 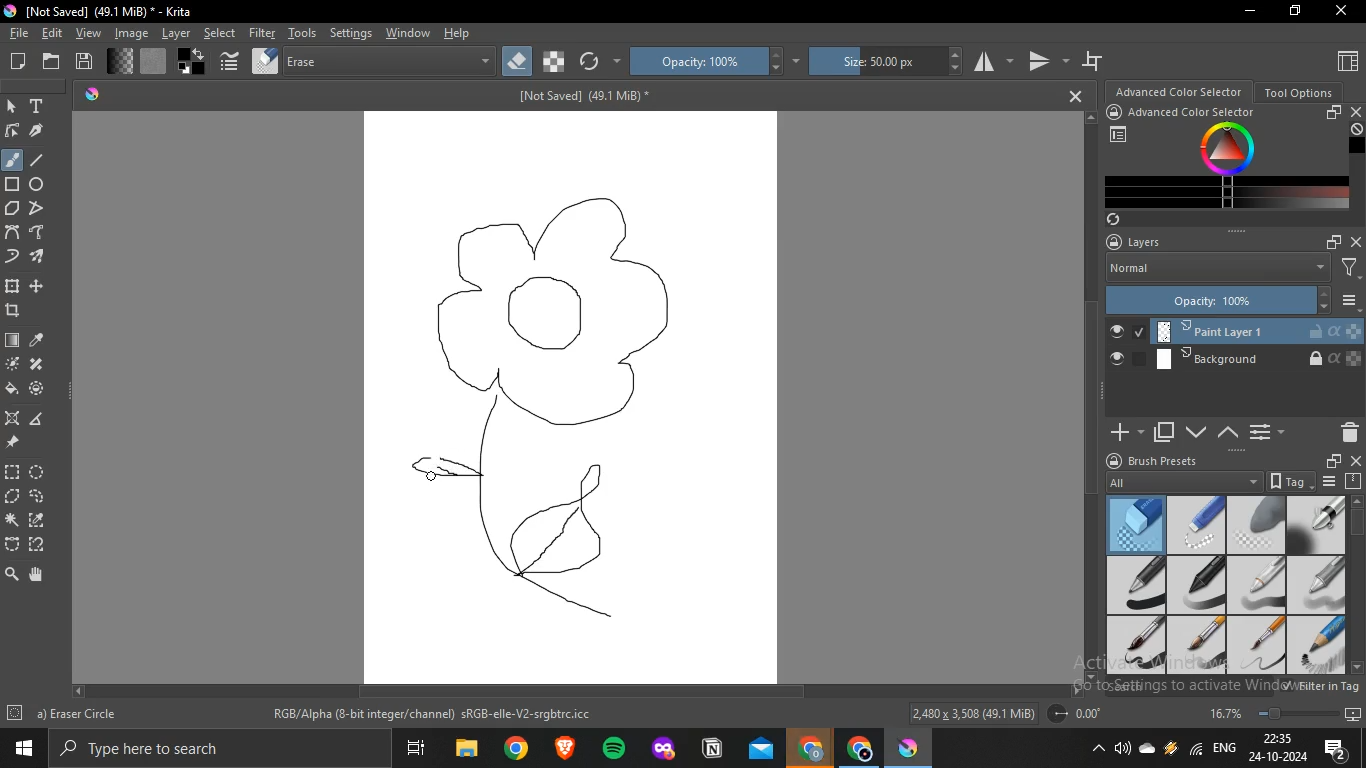 I want to click on Application, so click(x=915, y=747).